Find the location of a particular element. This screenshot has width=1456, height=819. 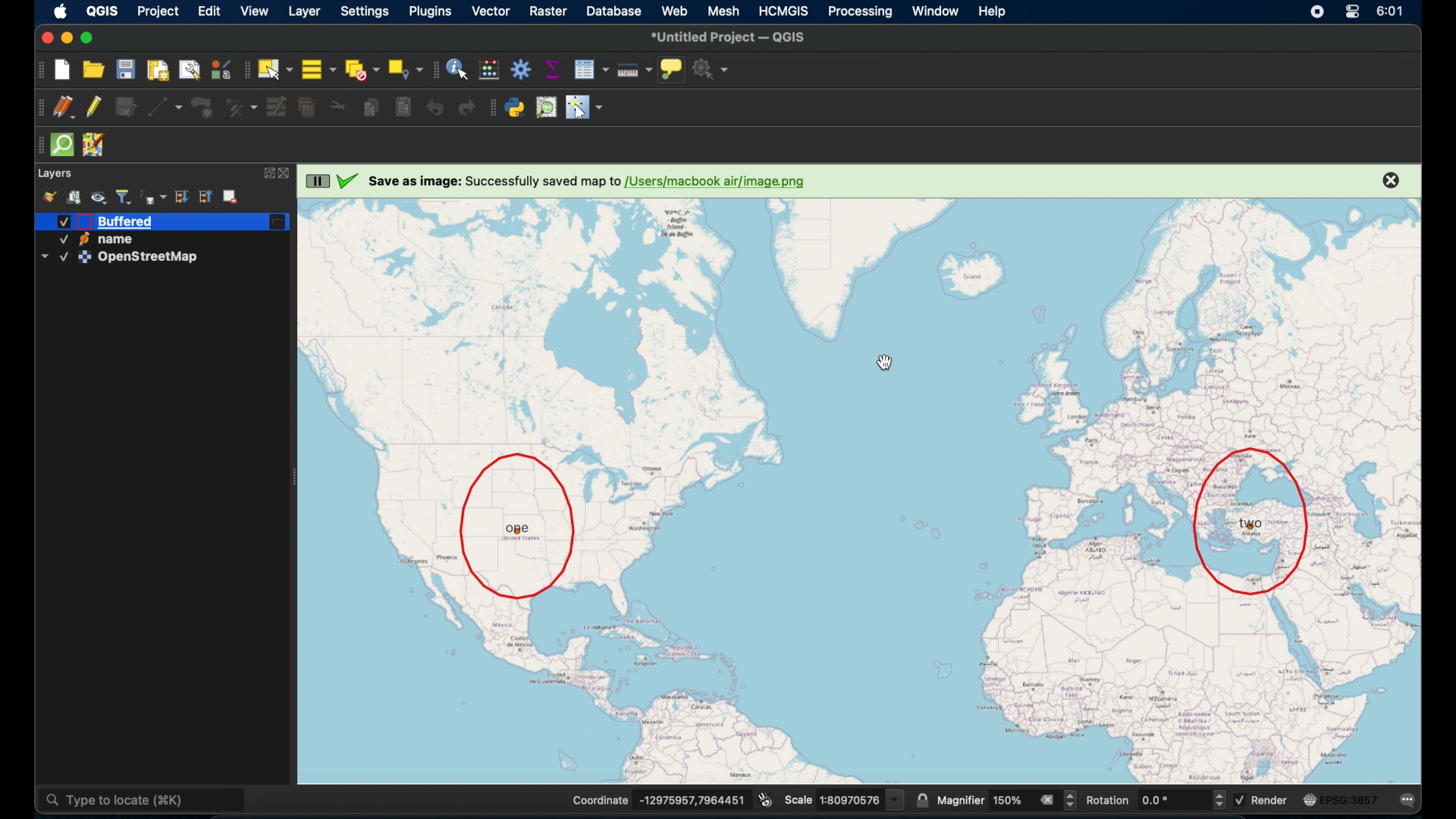

select by single area or click is located at coordinates (274, 68).